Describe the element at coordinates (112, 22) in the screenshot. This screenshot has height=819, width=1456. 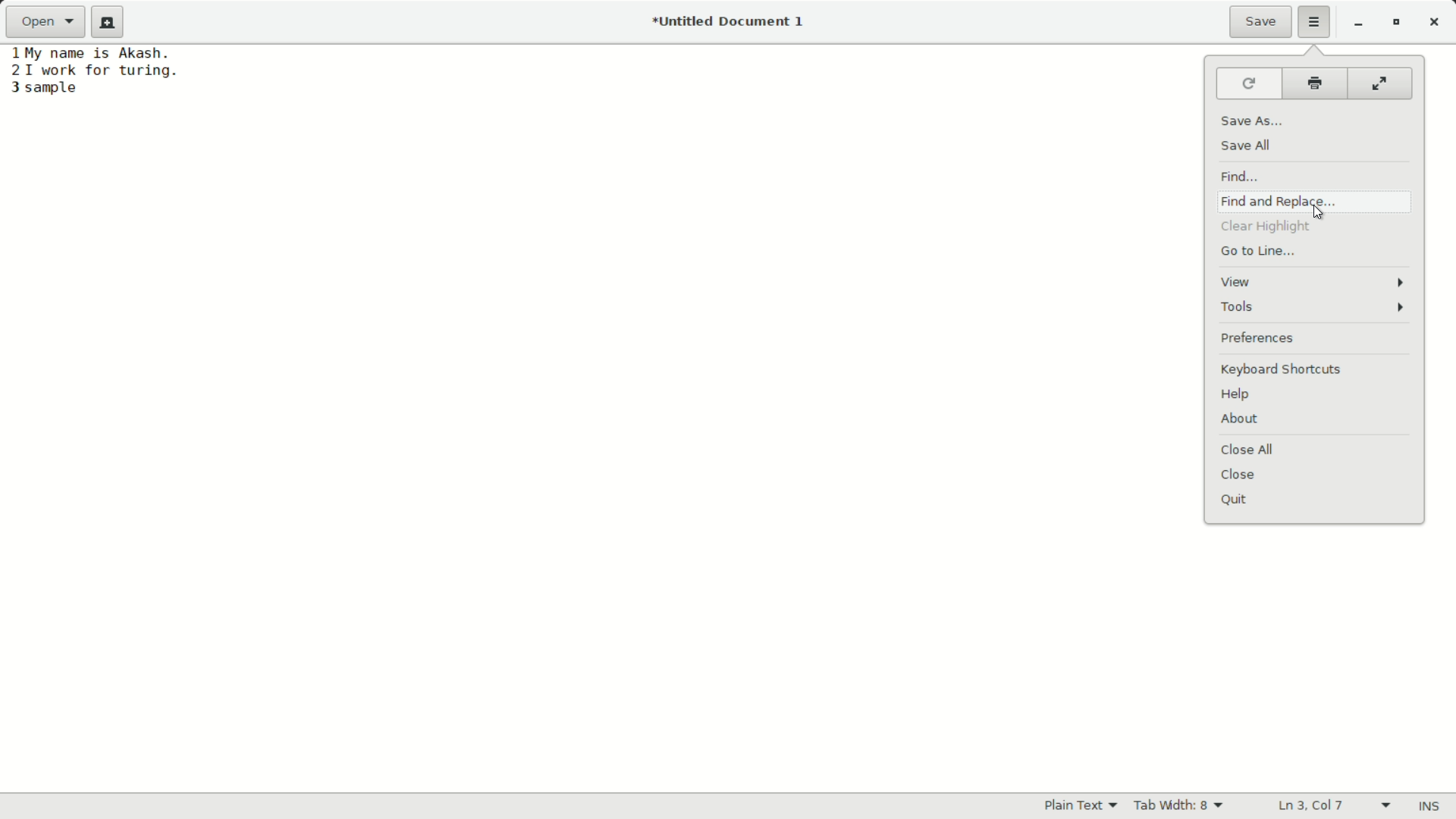
I see `new document` at that location.